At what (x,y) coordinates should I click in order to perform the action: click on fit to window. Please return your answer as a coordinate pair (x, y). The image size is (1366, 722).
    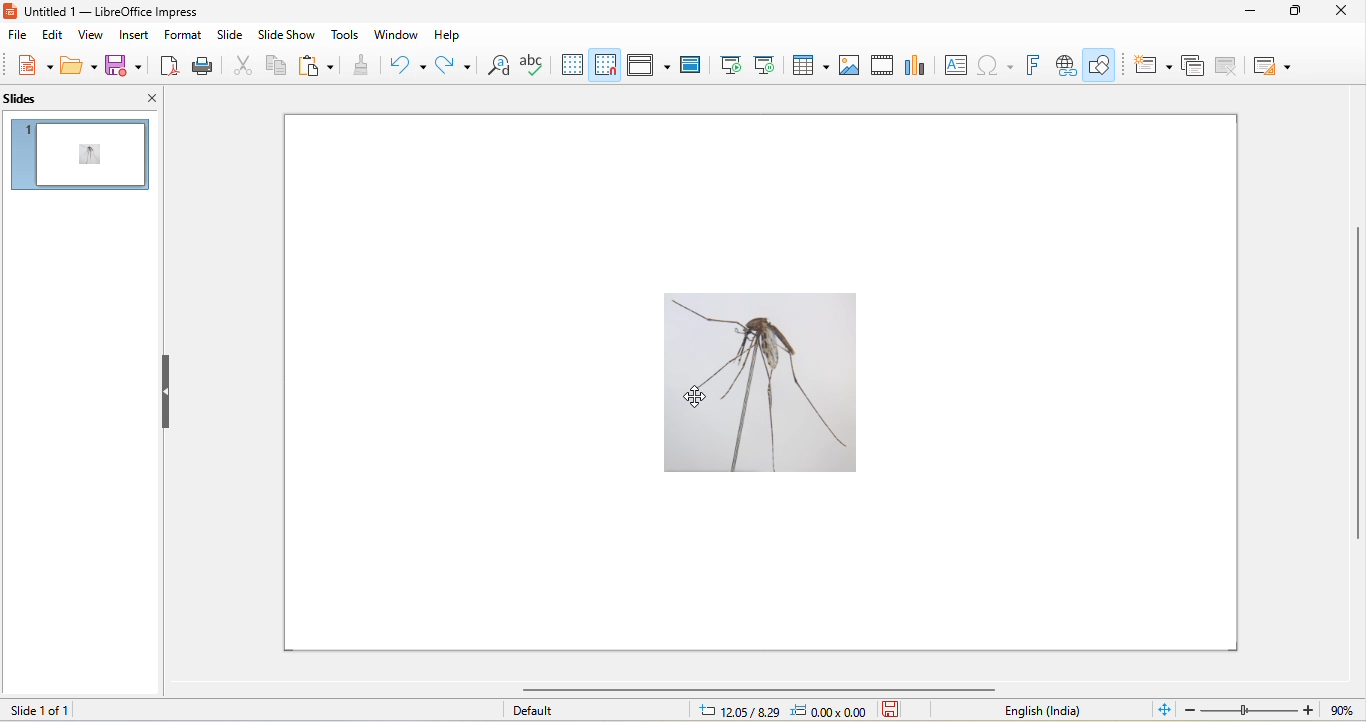
    Looking at the image, I should click on (1165, 709).